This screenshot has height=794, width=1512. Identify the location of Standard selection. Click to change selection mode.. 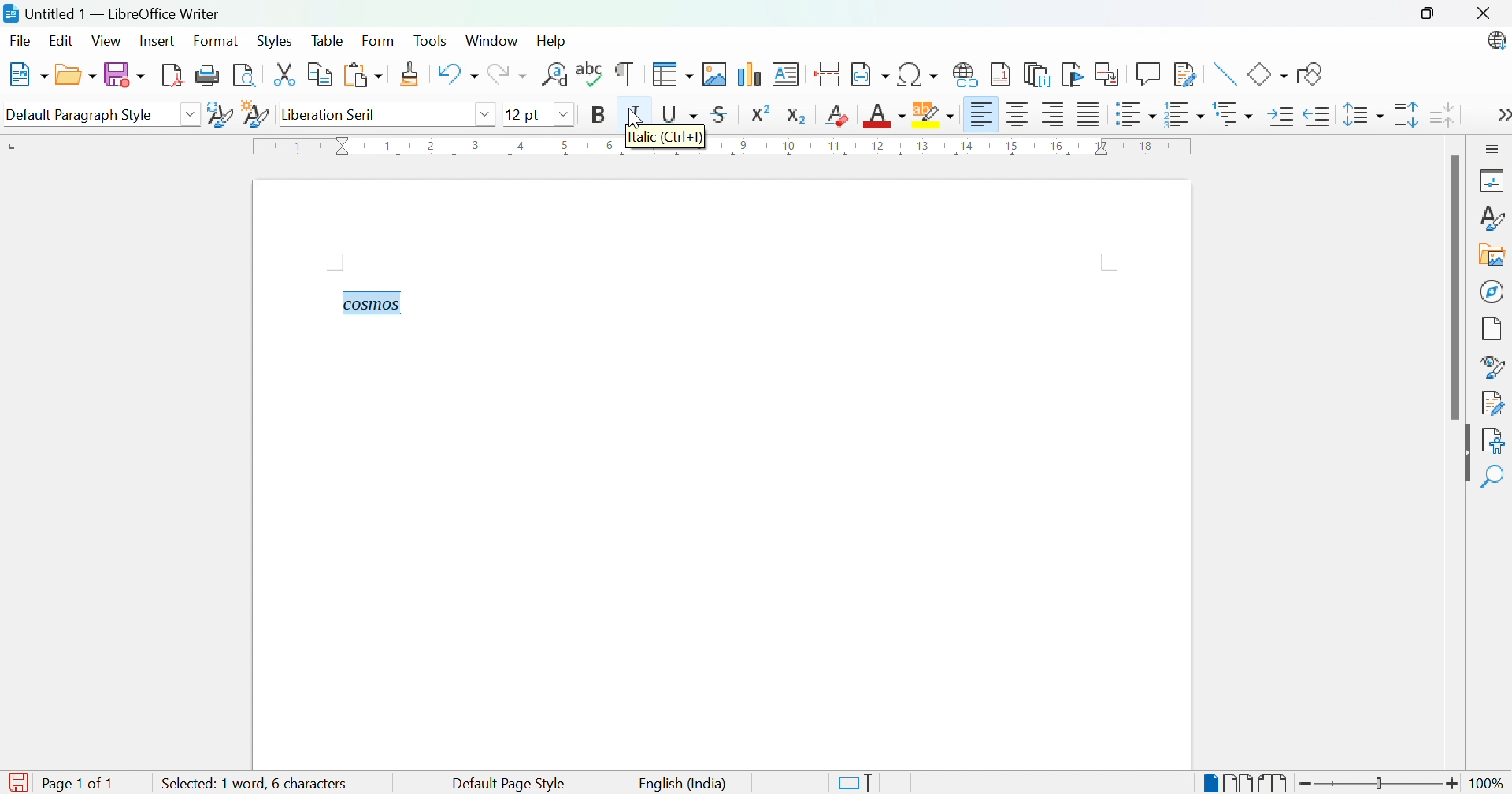
(856, 783).